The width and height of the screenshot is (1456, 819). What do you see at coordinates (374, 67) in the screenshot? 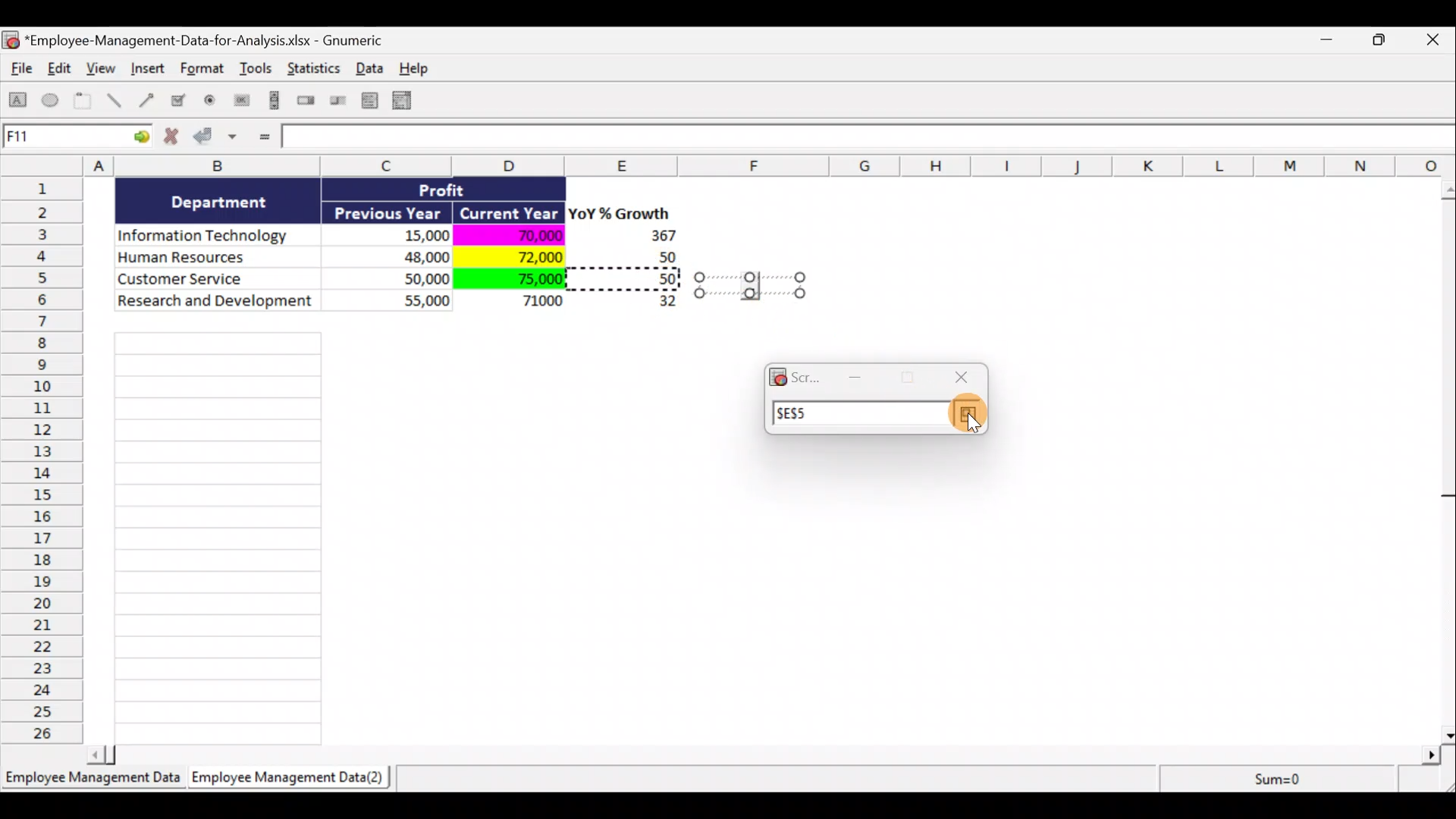
I see `Data` at bounding box center [374, 67].